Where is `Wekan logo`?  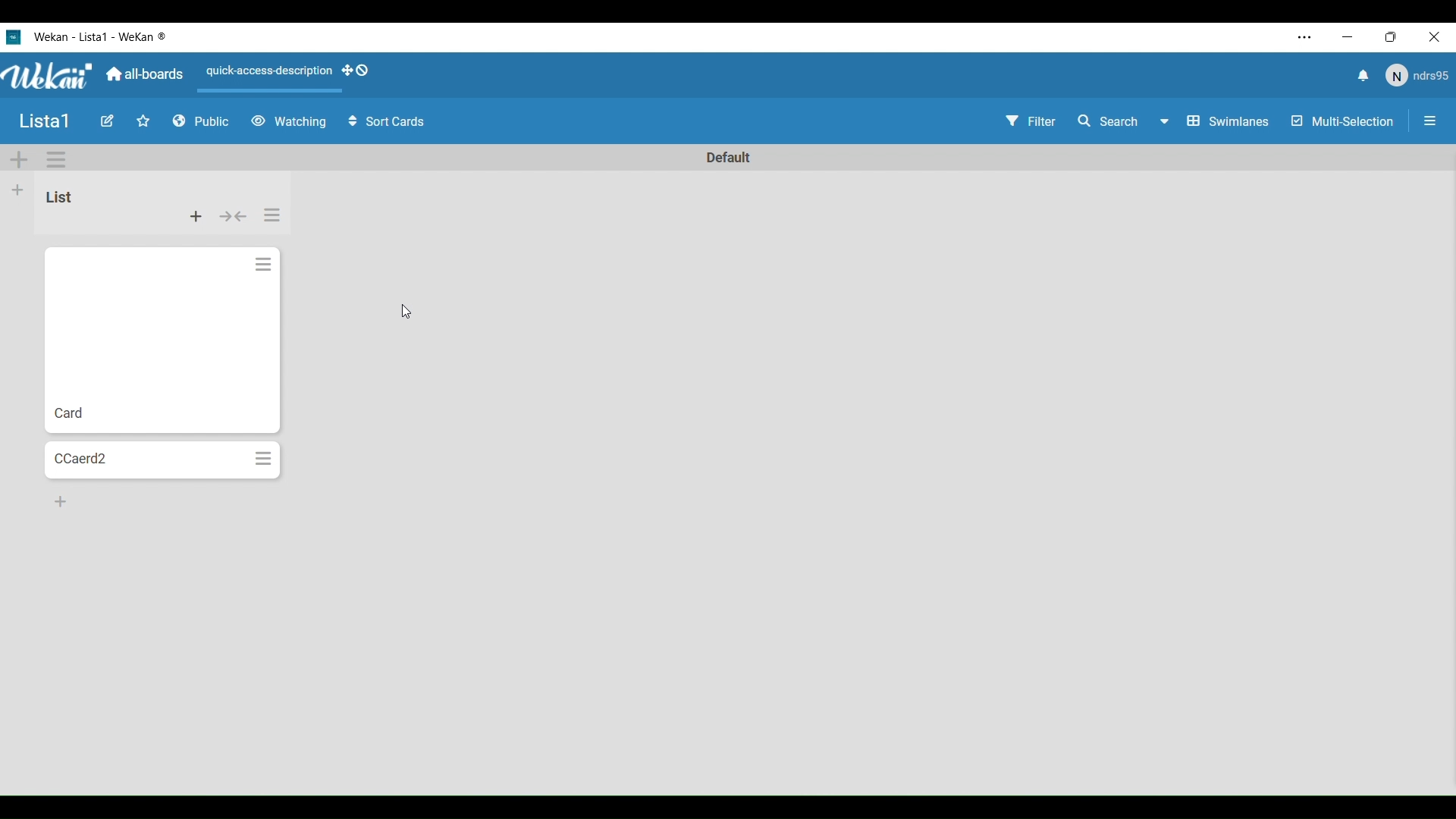
Wekan logo is located at coordinates (13, 36).